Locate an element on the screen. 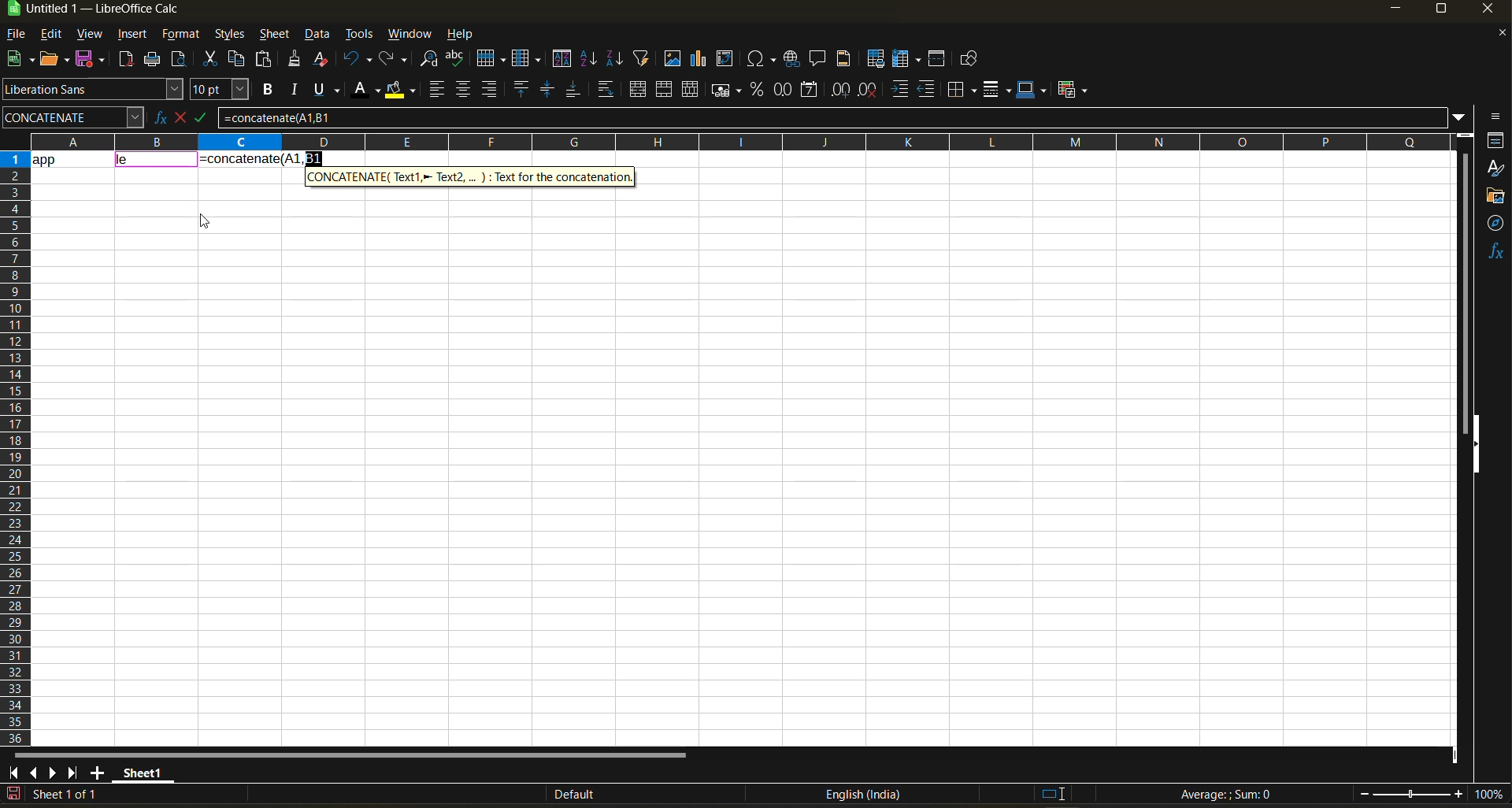  styles is located at coordinates (228, 35).